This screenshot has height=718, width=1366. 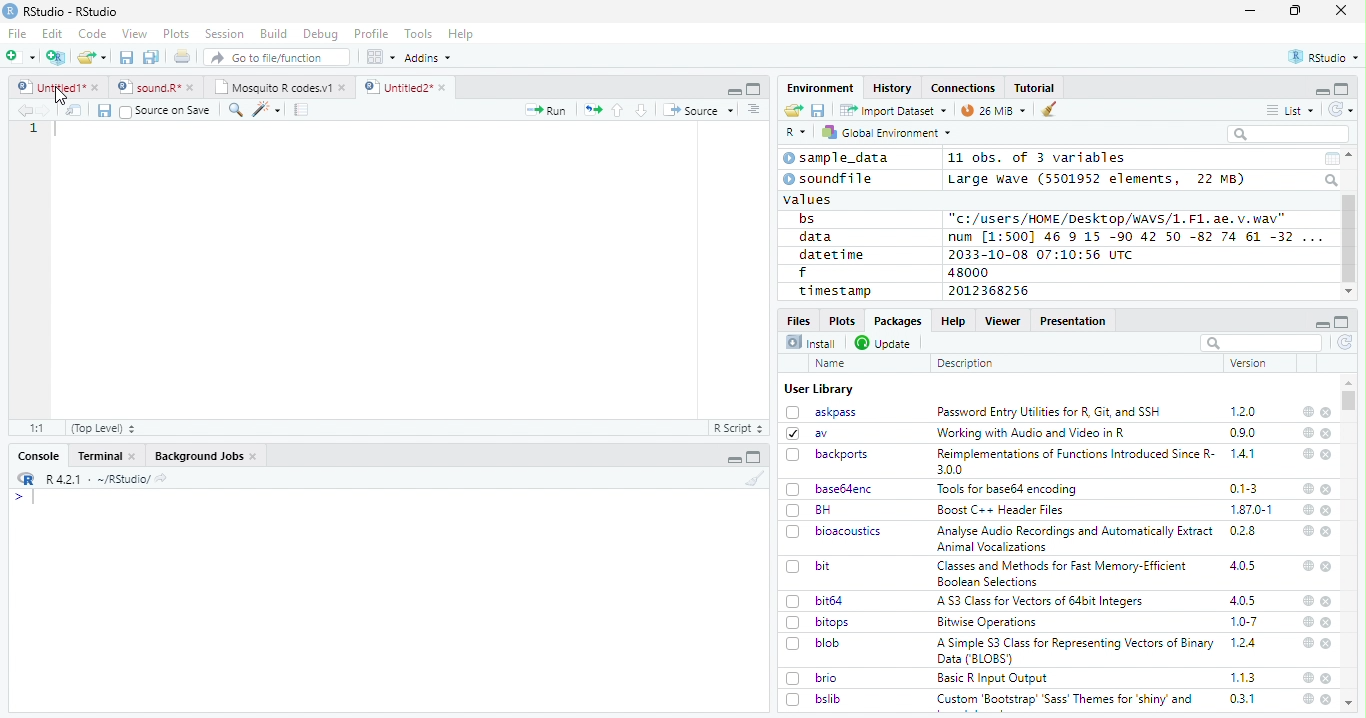 What do you see at coordinates (233, 108) in the screenshot?
I see `find` at bounding box center [233, 108].